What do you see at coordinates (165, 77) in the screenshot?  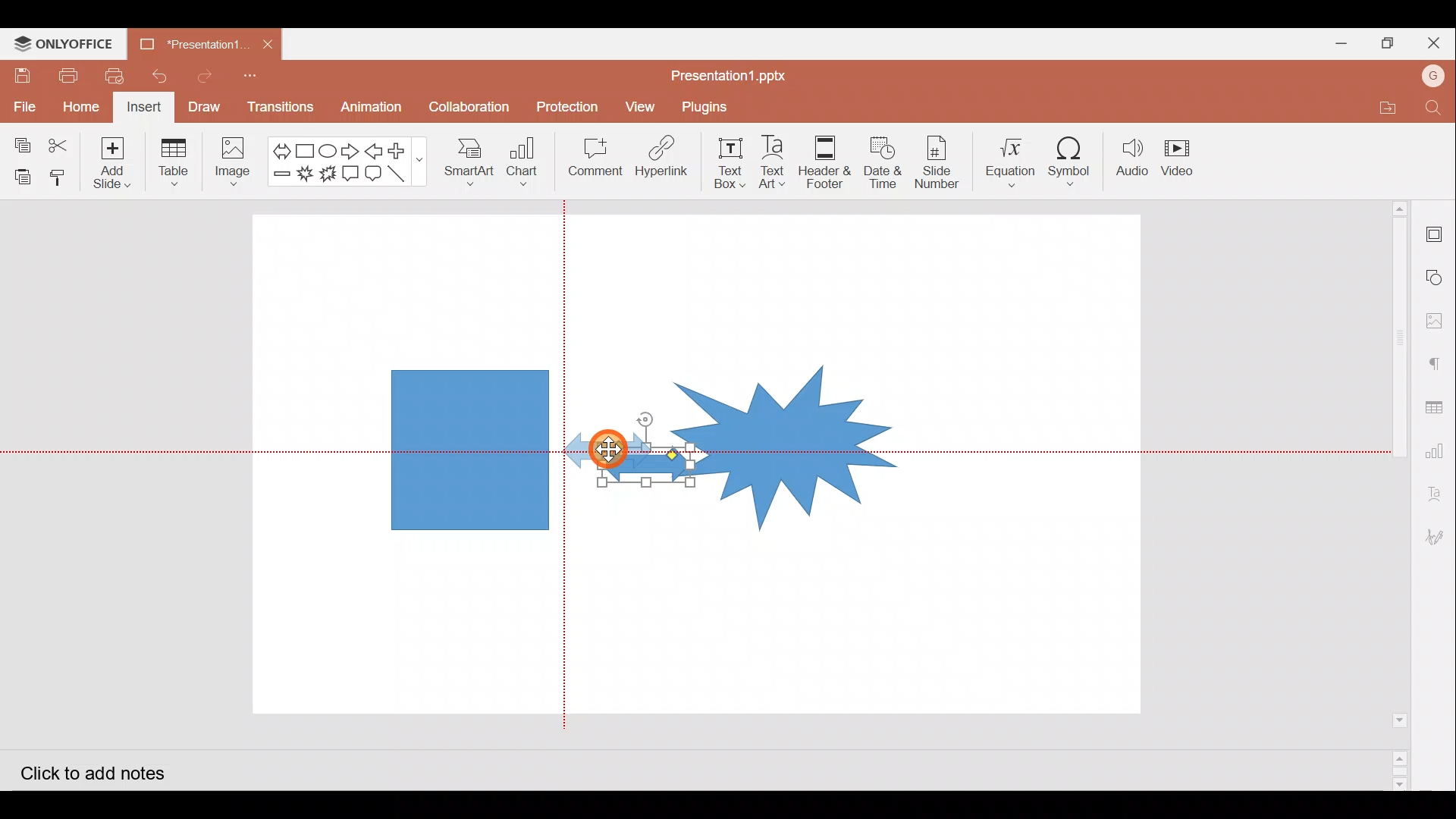 I see `Undo` at bounding box center [165, 77].